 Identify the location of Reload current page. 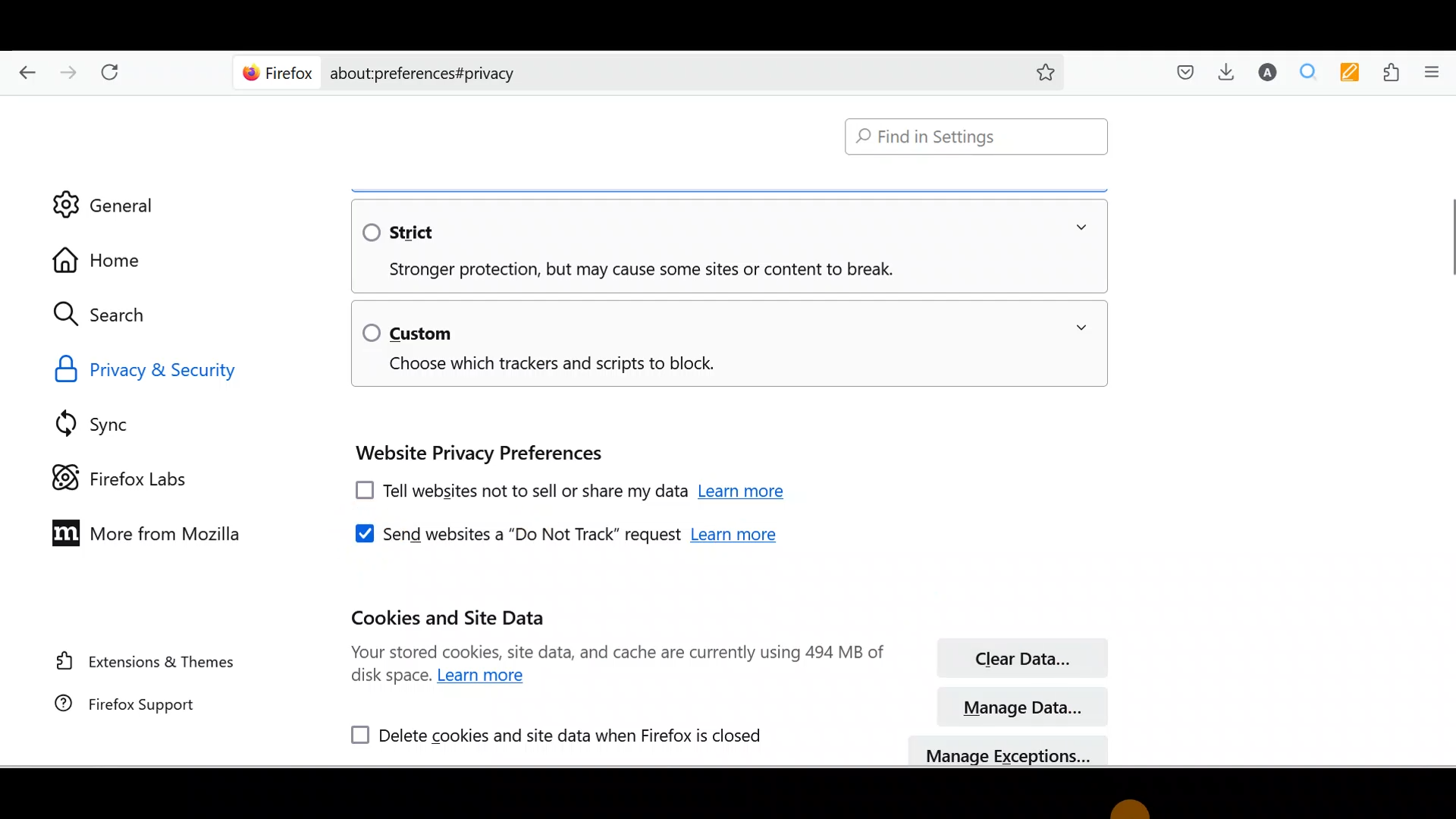
(112, 67).